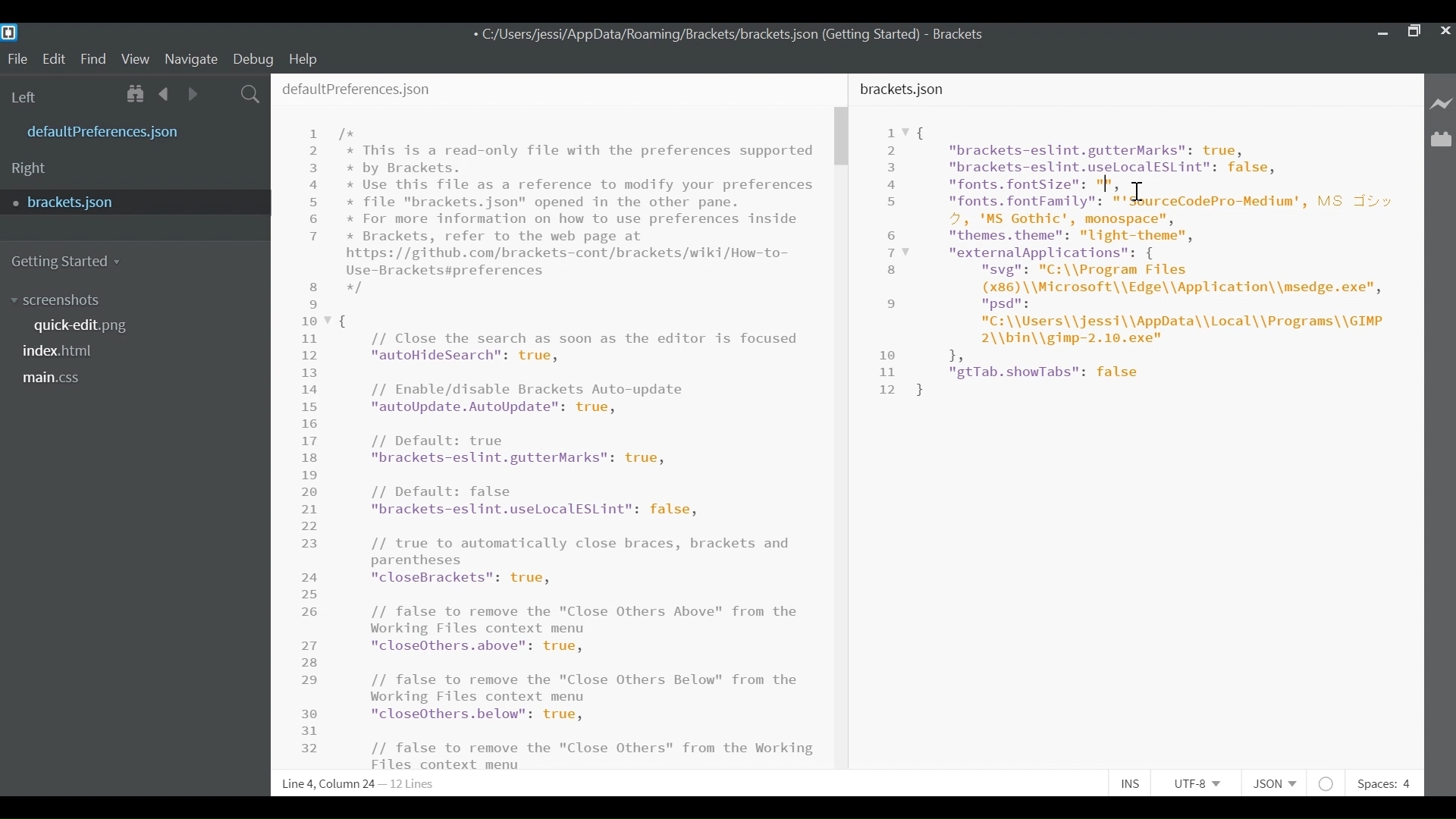 The width and height of the screenshot is (1456, 819). I want to click on bracket.json File, so click(132, 202).